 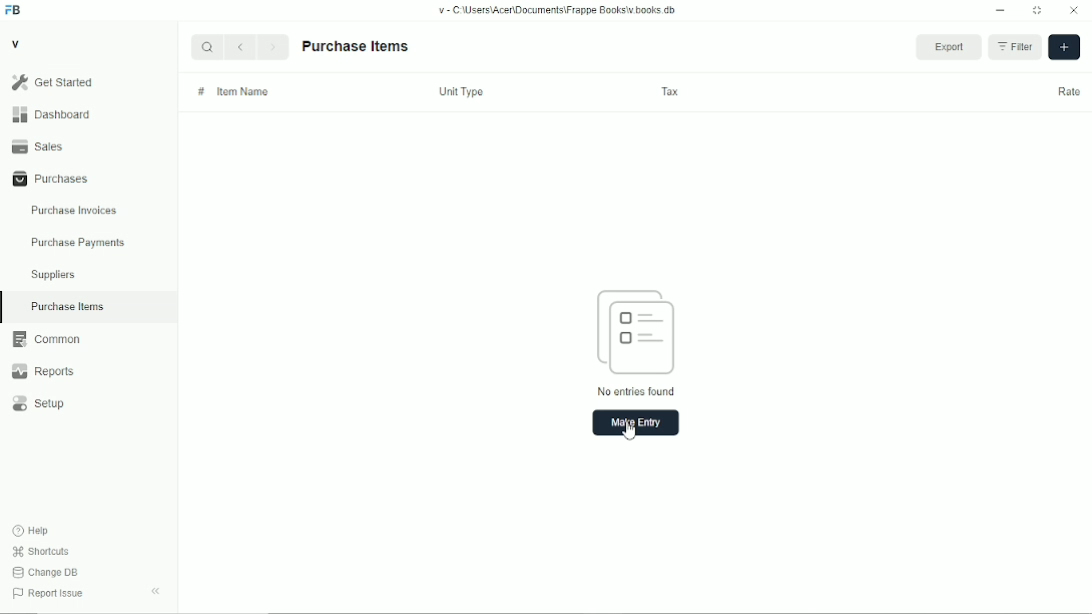 I want to click on Next, so click(x=273, y=46).